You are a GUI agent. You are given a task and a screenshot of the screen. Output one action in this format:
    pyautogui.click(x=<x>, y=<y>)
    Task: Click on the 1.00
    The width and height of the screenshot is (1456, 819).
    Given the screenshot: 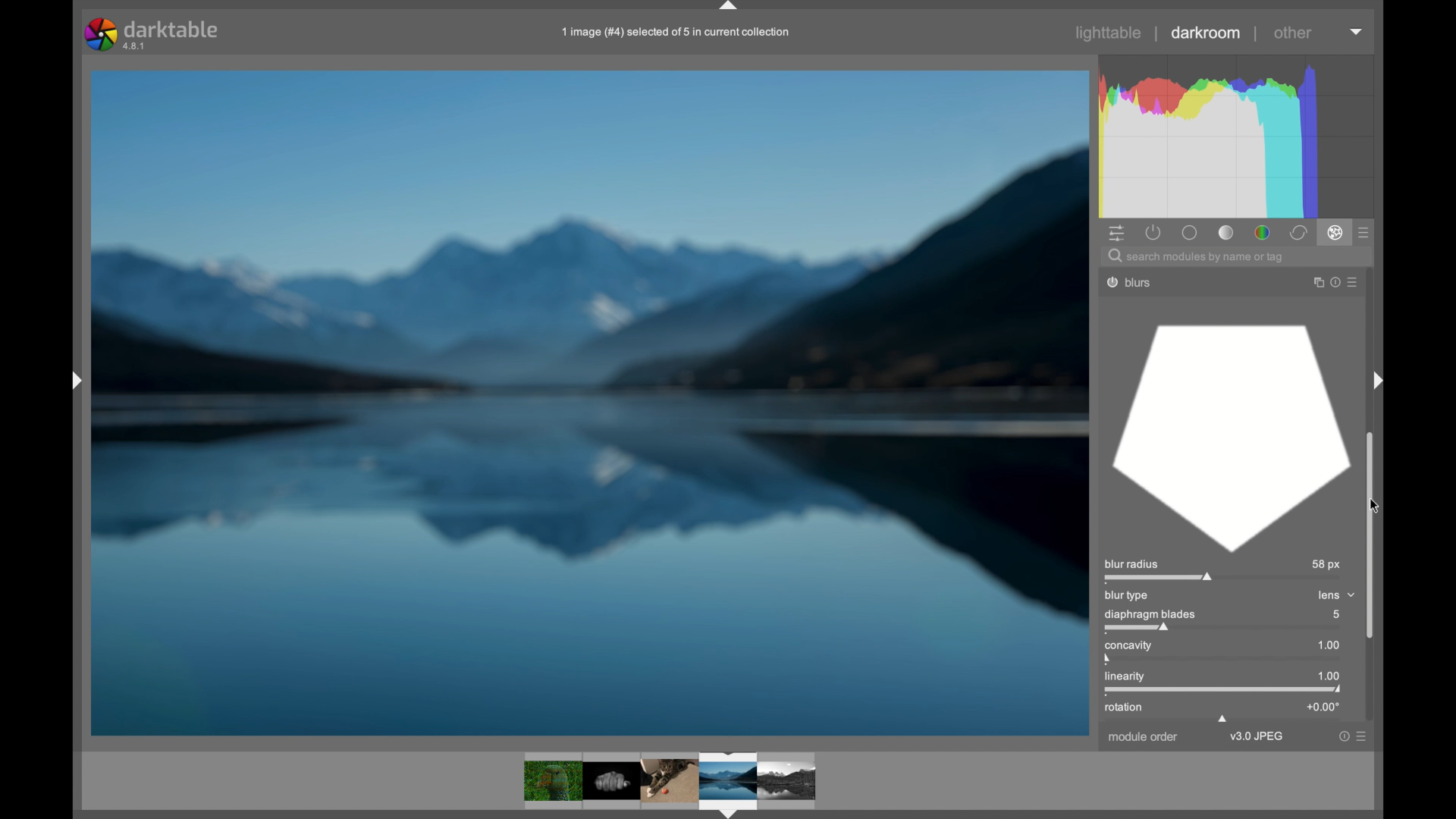 What is the action you would take?
    pyautogui.click(x=1329, y=674)
    